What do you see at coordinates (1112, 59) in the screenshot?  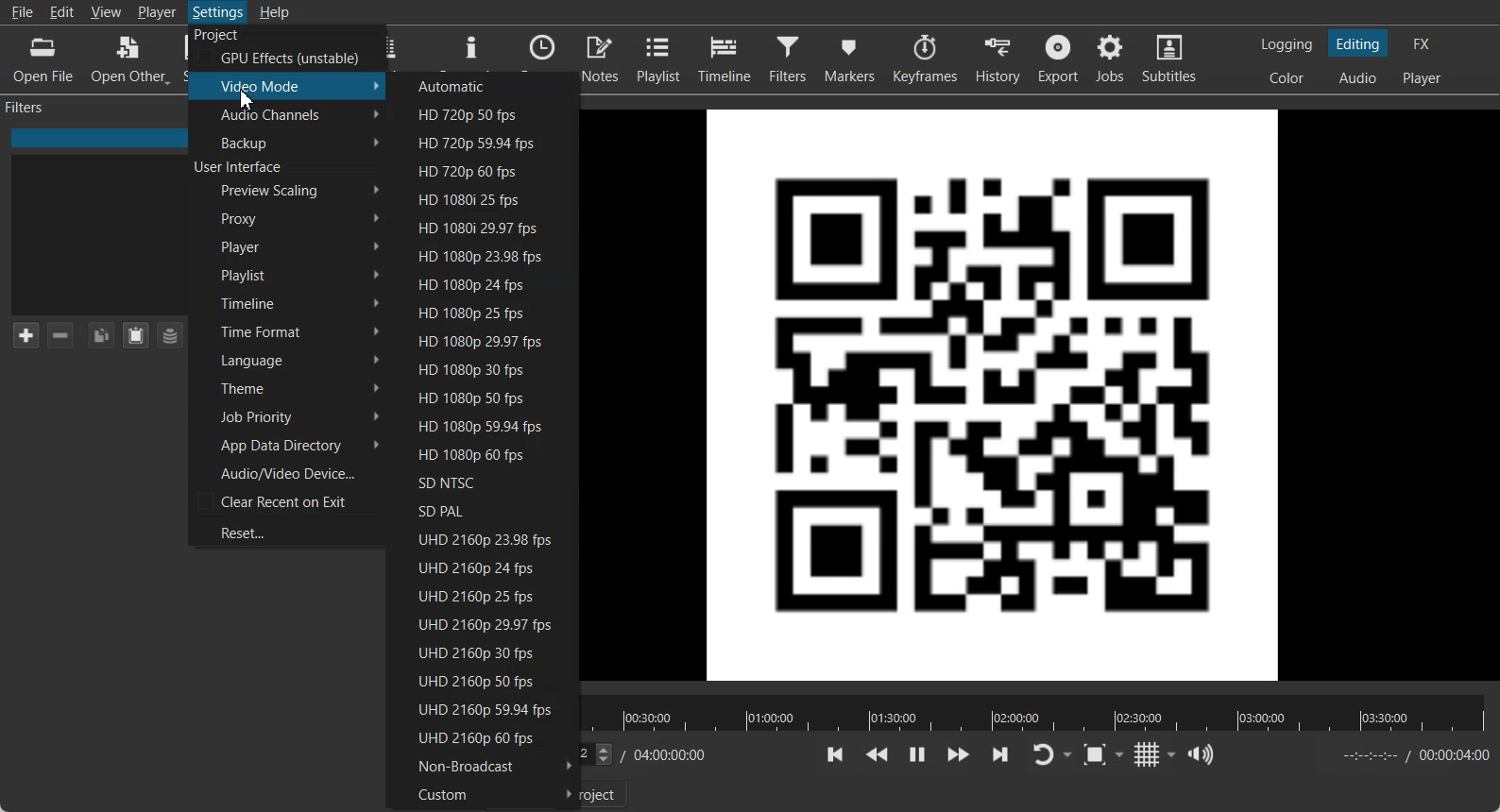 I see `Jobs` at bounding box center [1112, 59].